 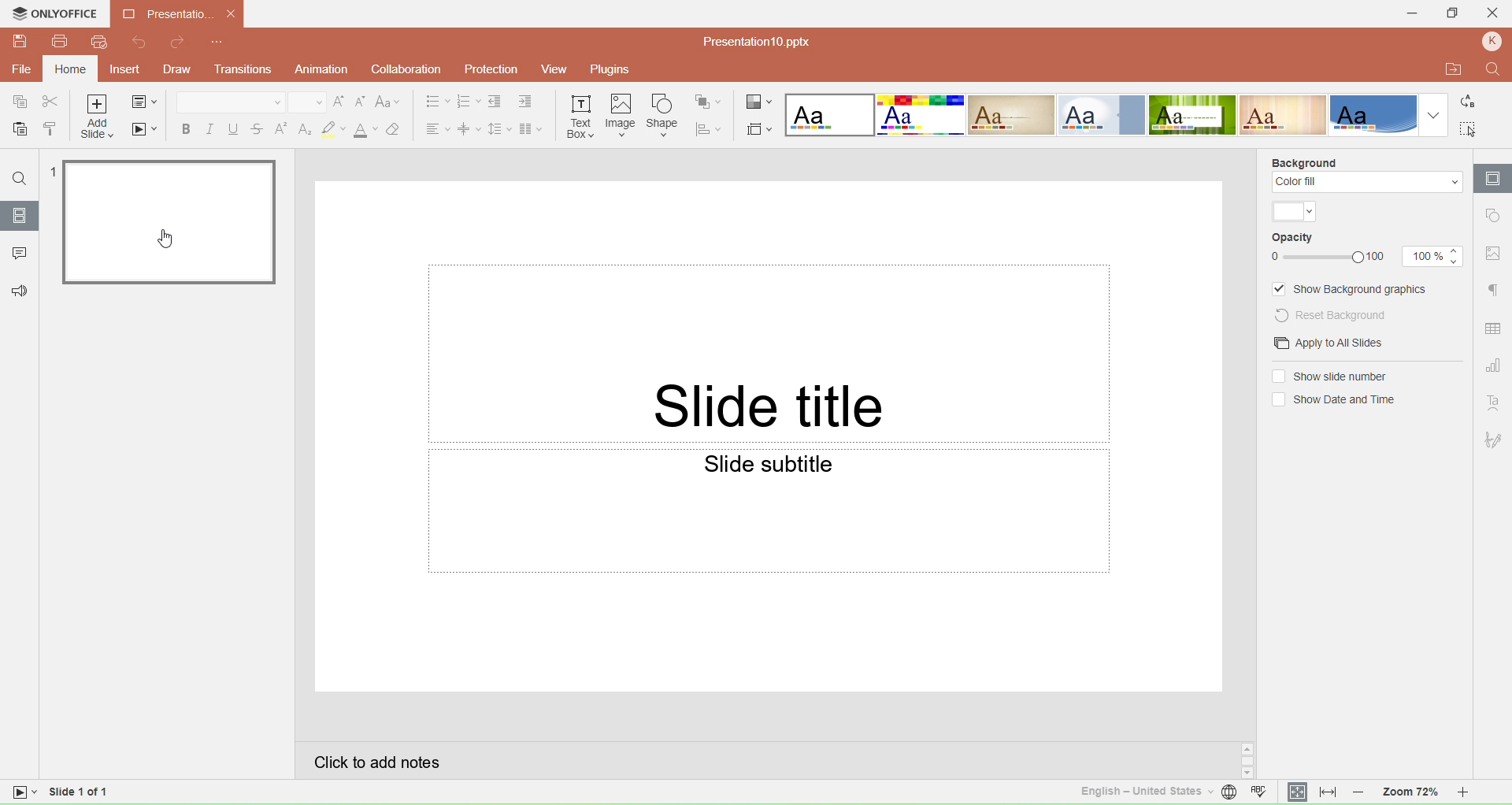 I want to click on Slide tittle, so click(x=769, y=353).